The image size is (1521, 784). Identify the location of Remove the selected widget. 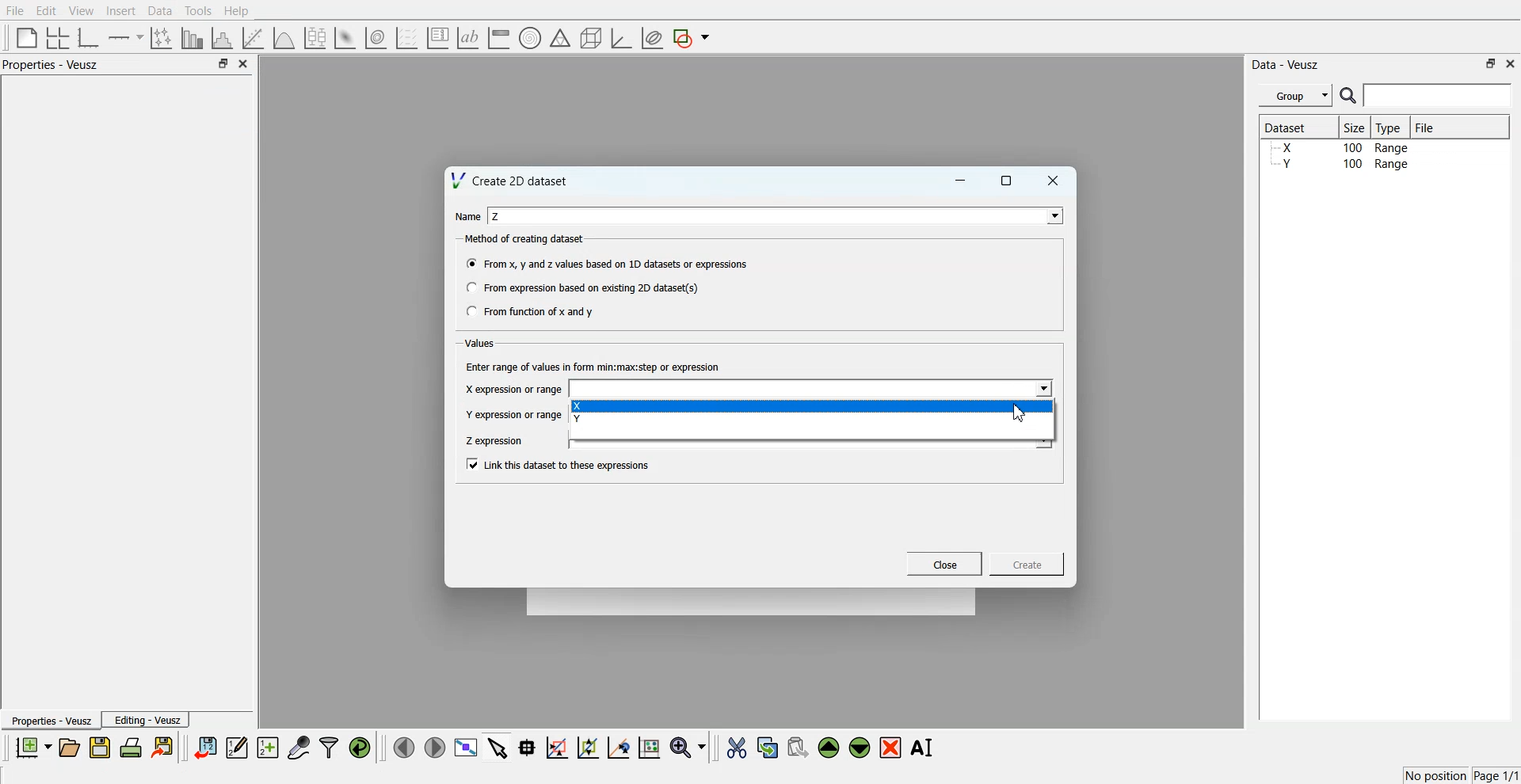
(890, 748).